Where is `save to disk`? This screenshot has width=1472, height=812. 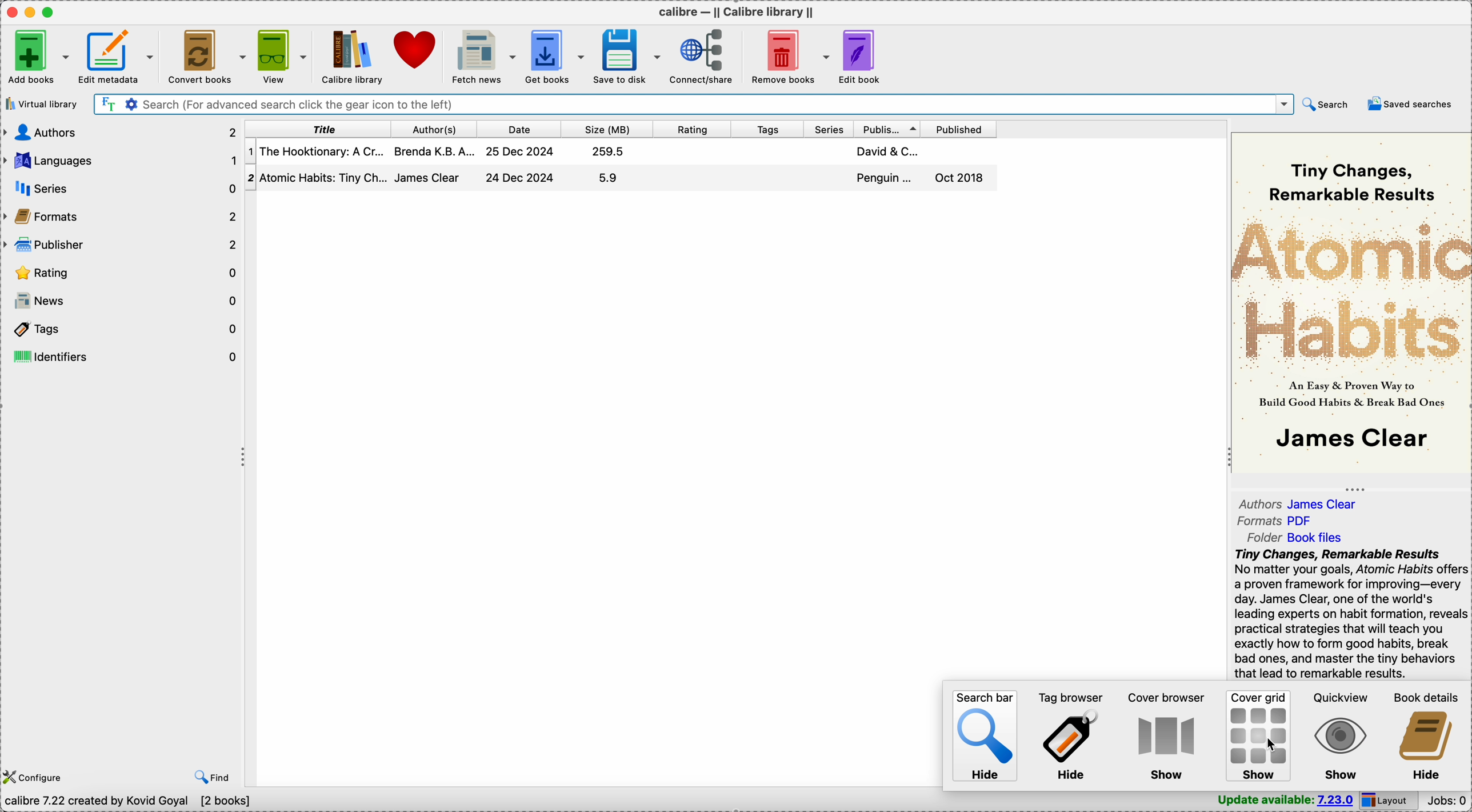 save to disk is located at coordinates (629, 55).